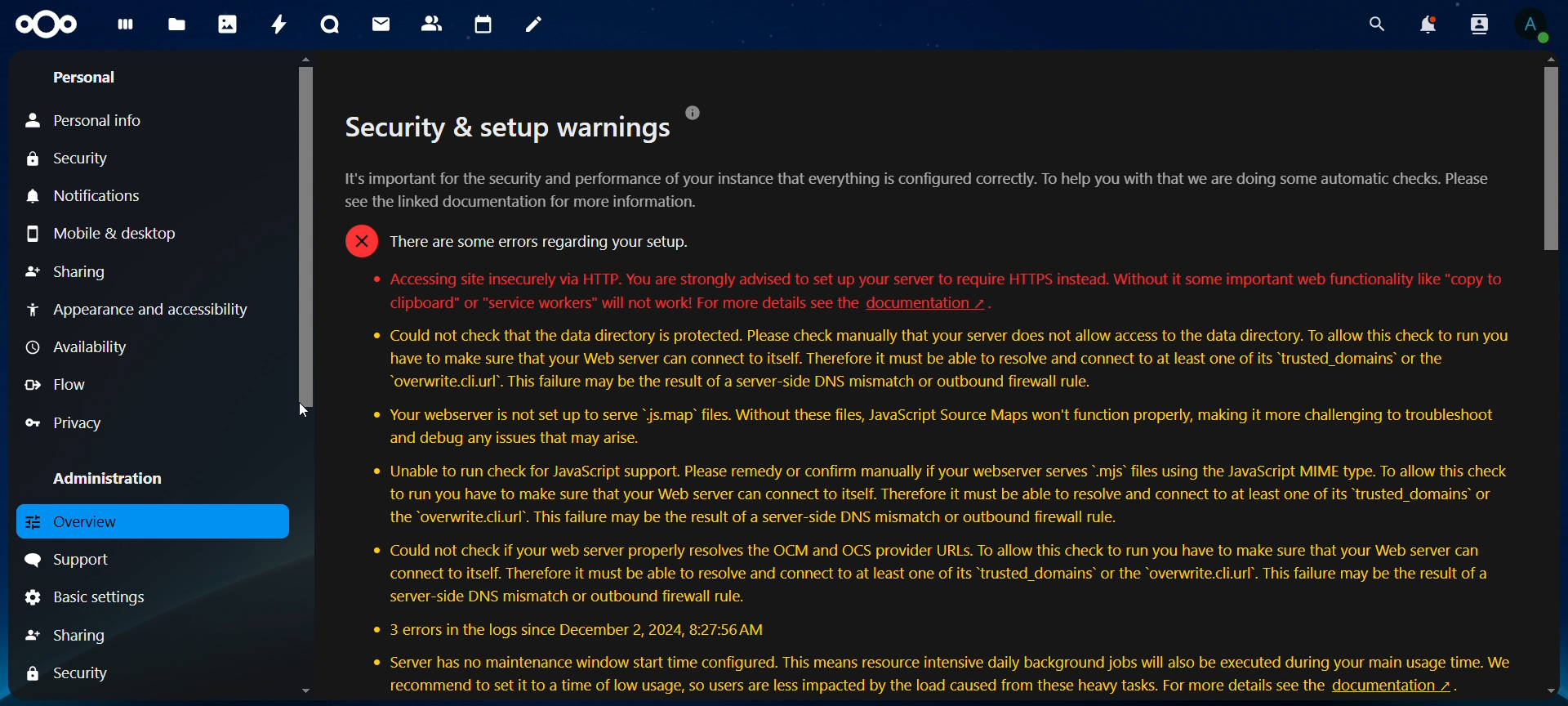 The width and height of the screenshot is (1568, 706). I want to click on support, so click(72, 561).